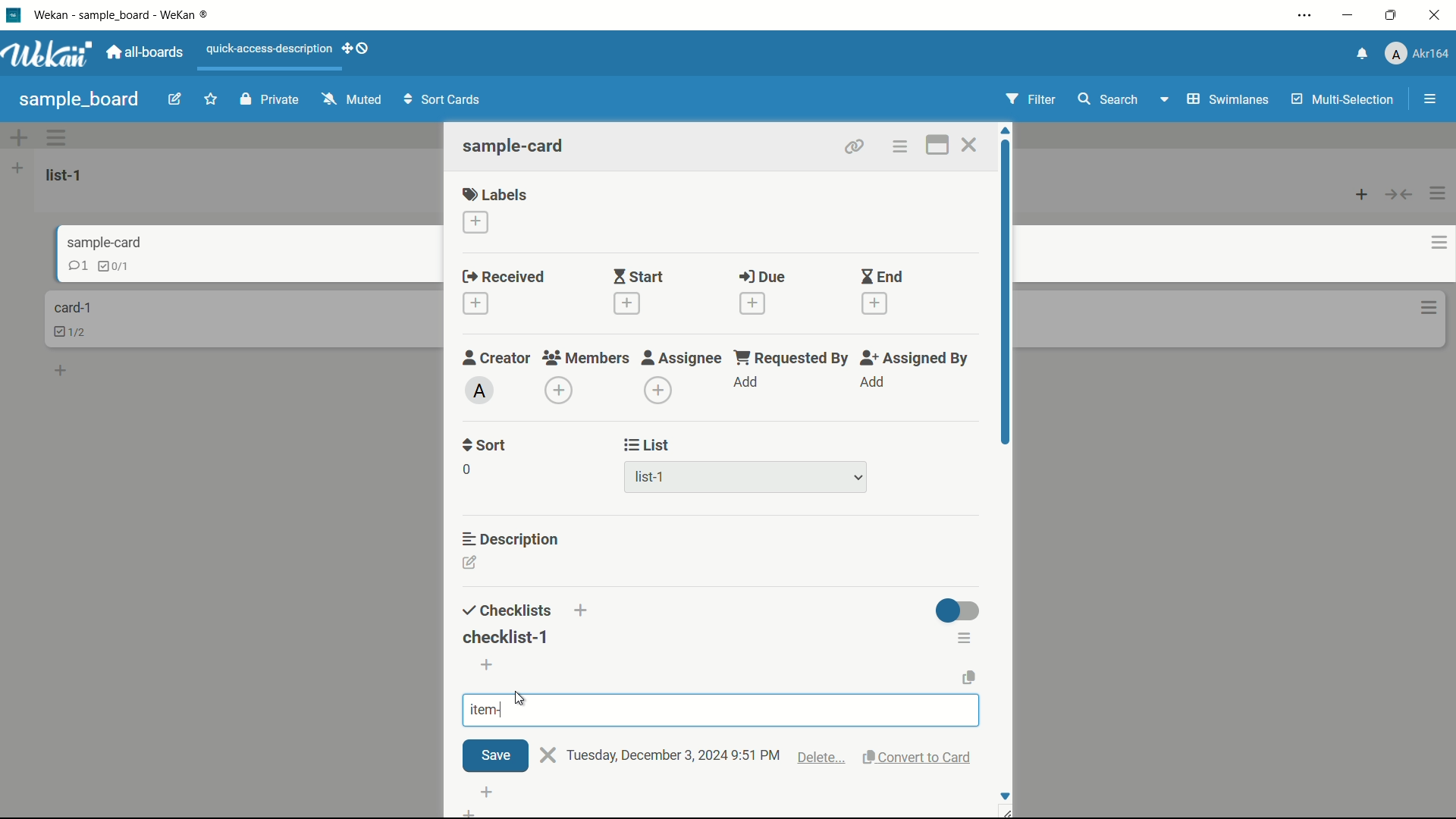  What do you see at coordinates (66, 373) in the screenshot?
I see `add` at bounding box center [66, 373].